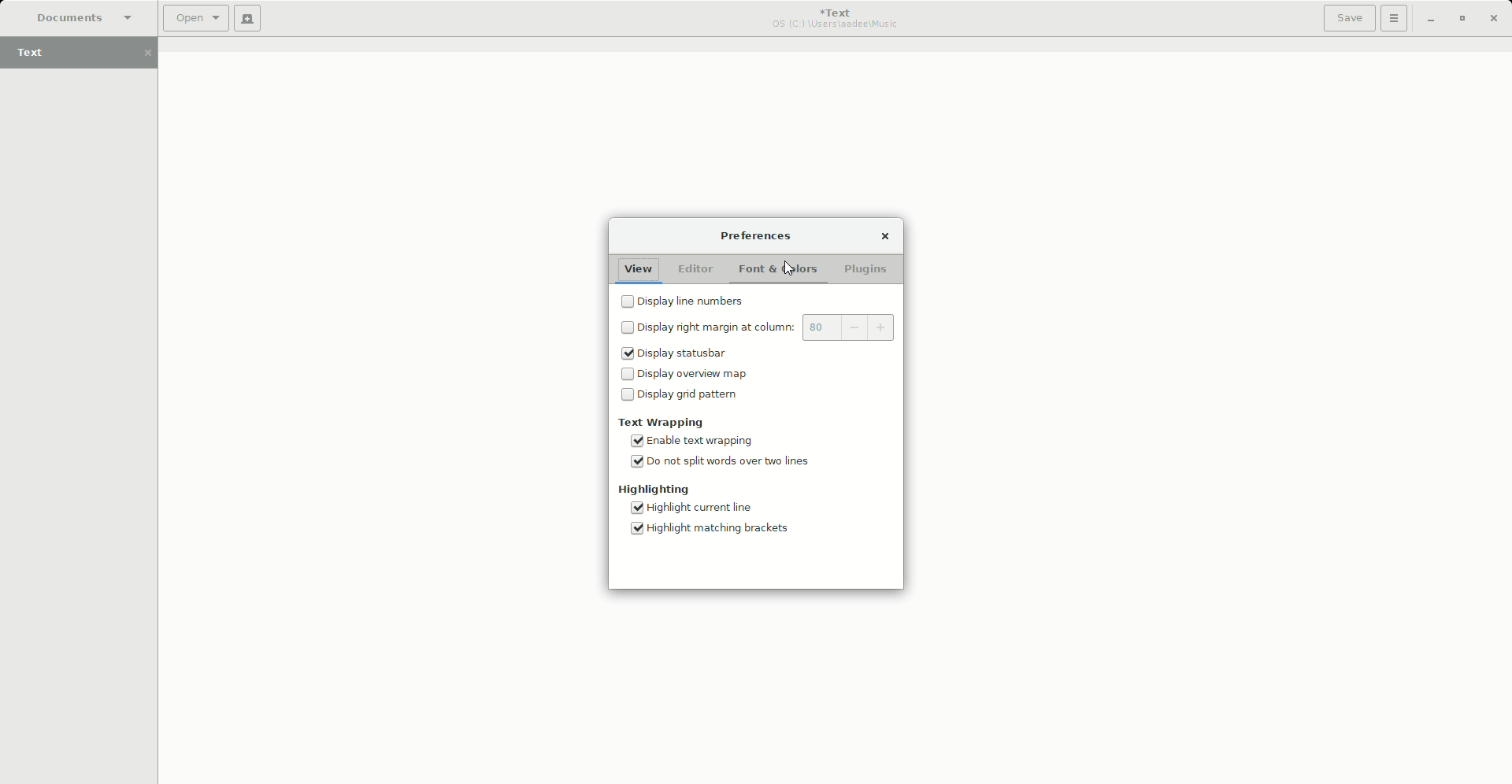 The width and height of the screenshot is (1512, 784). What do you see at coordinates (697, 438) in the screenshot?
I see `Enable text wrapping` at bounding box center [697, 438].